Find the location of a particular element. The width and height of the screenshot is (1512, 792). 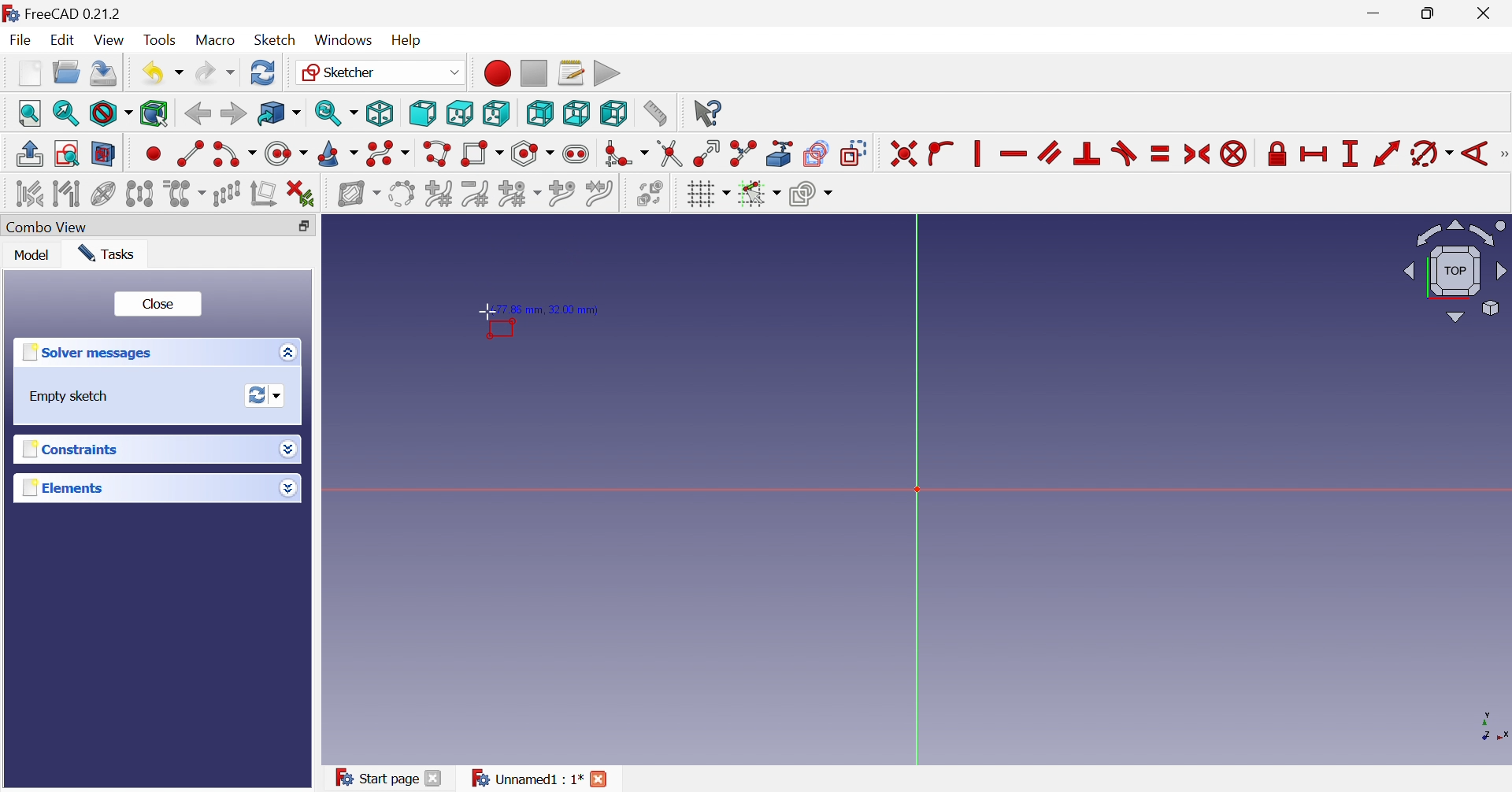

Bottom is located at coordinates (576, 113).